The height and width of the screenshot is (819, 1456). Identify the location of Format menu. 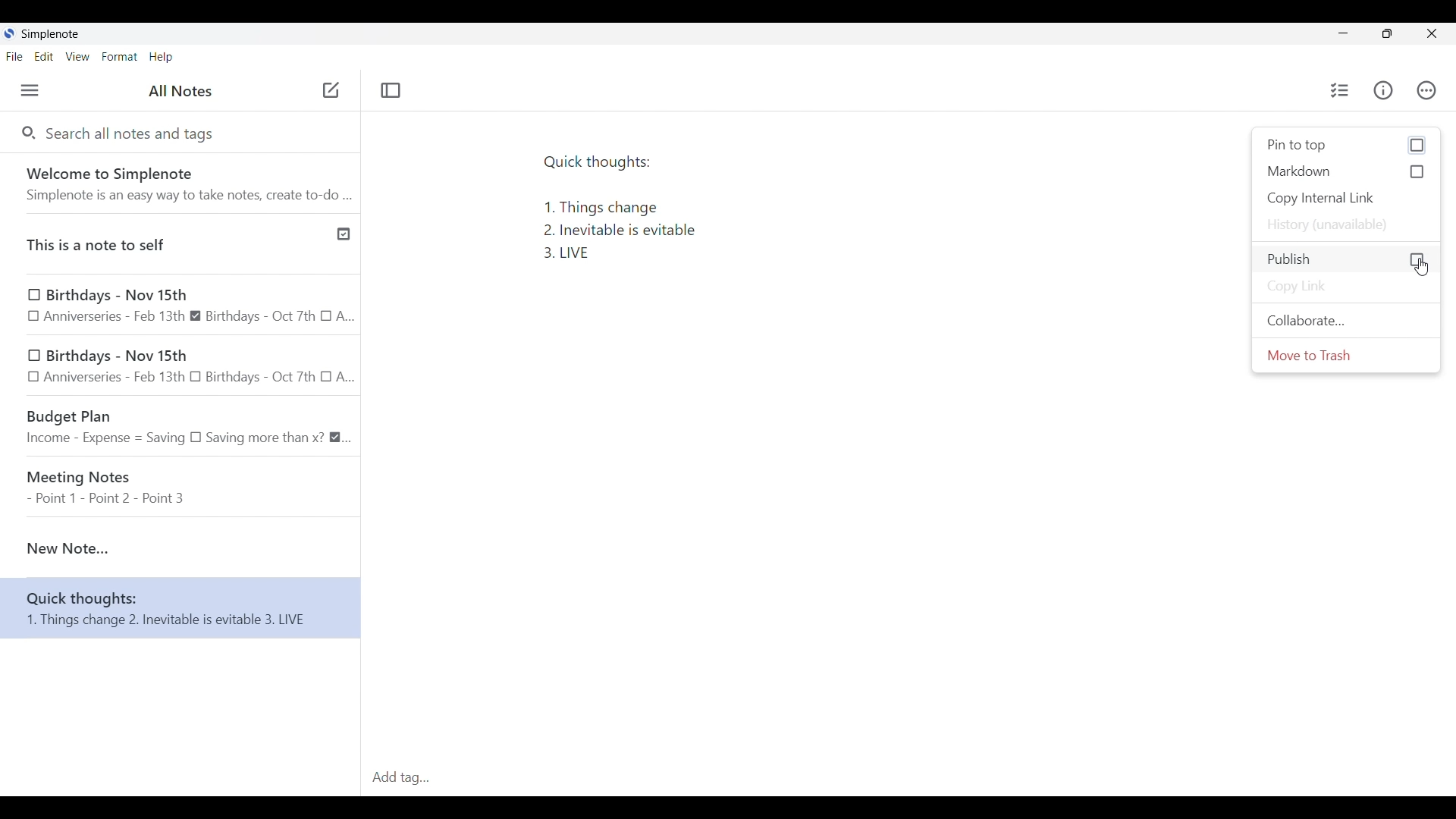
(120, 57).